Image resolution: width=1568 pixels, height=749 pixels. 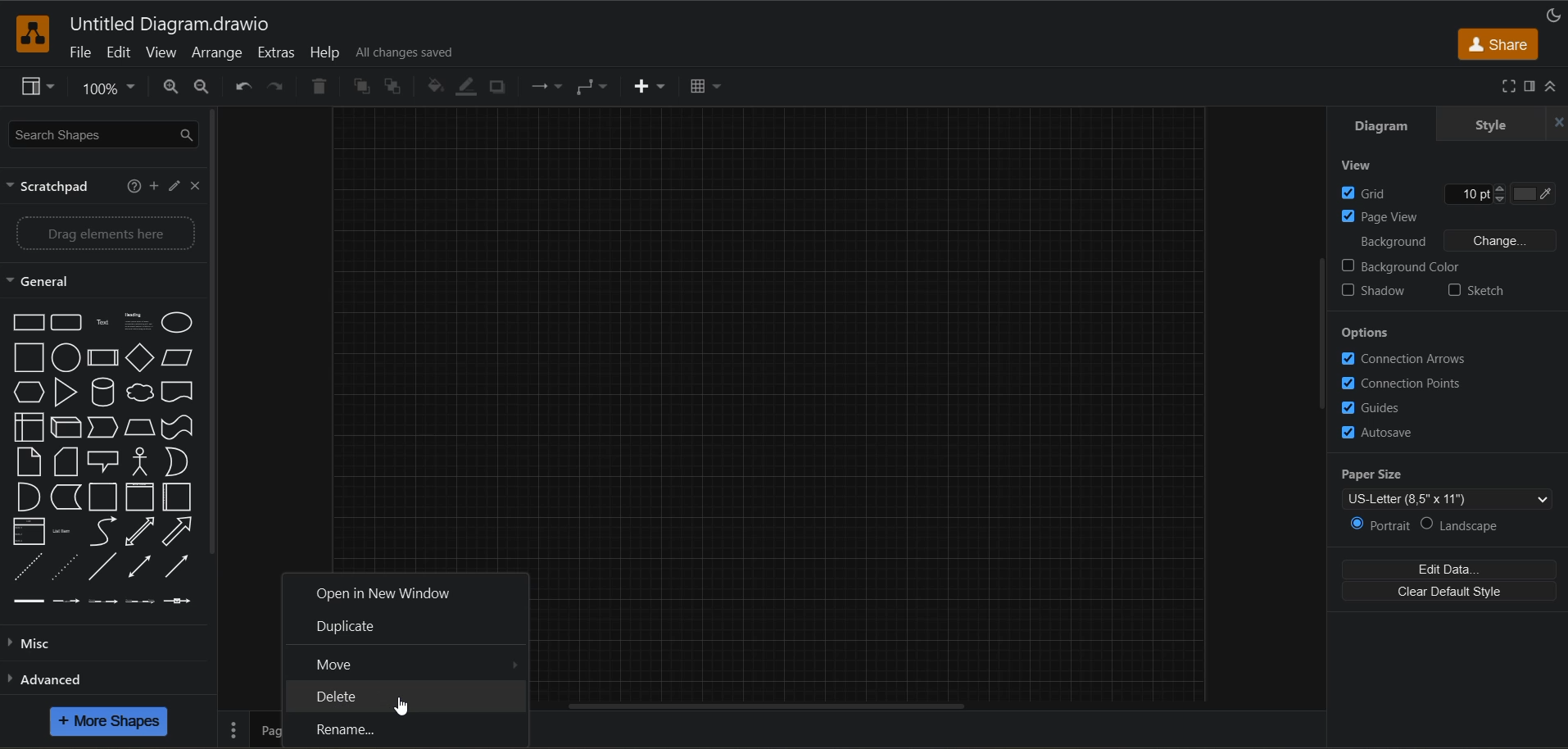 What do you see at coordinates (194, 186) in the screenshot?
I see `close` at bounding box center [194, 186].